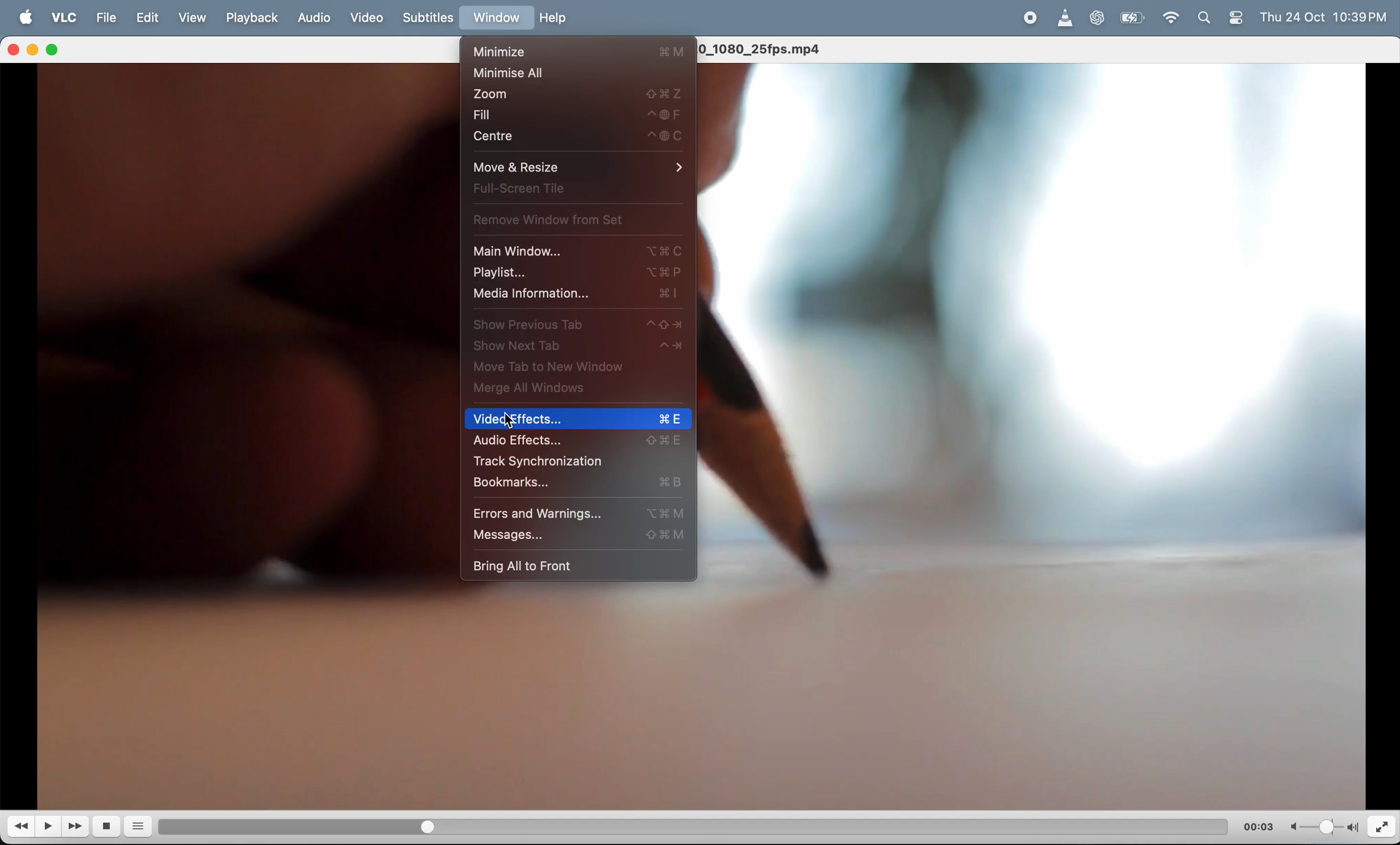  What do you see at coordinates (50, 826) in the screenshot?
I see `play` at bounding box center [50, 826].